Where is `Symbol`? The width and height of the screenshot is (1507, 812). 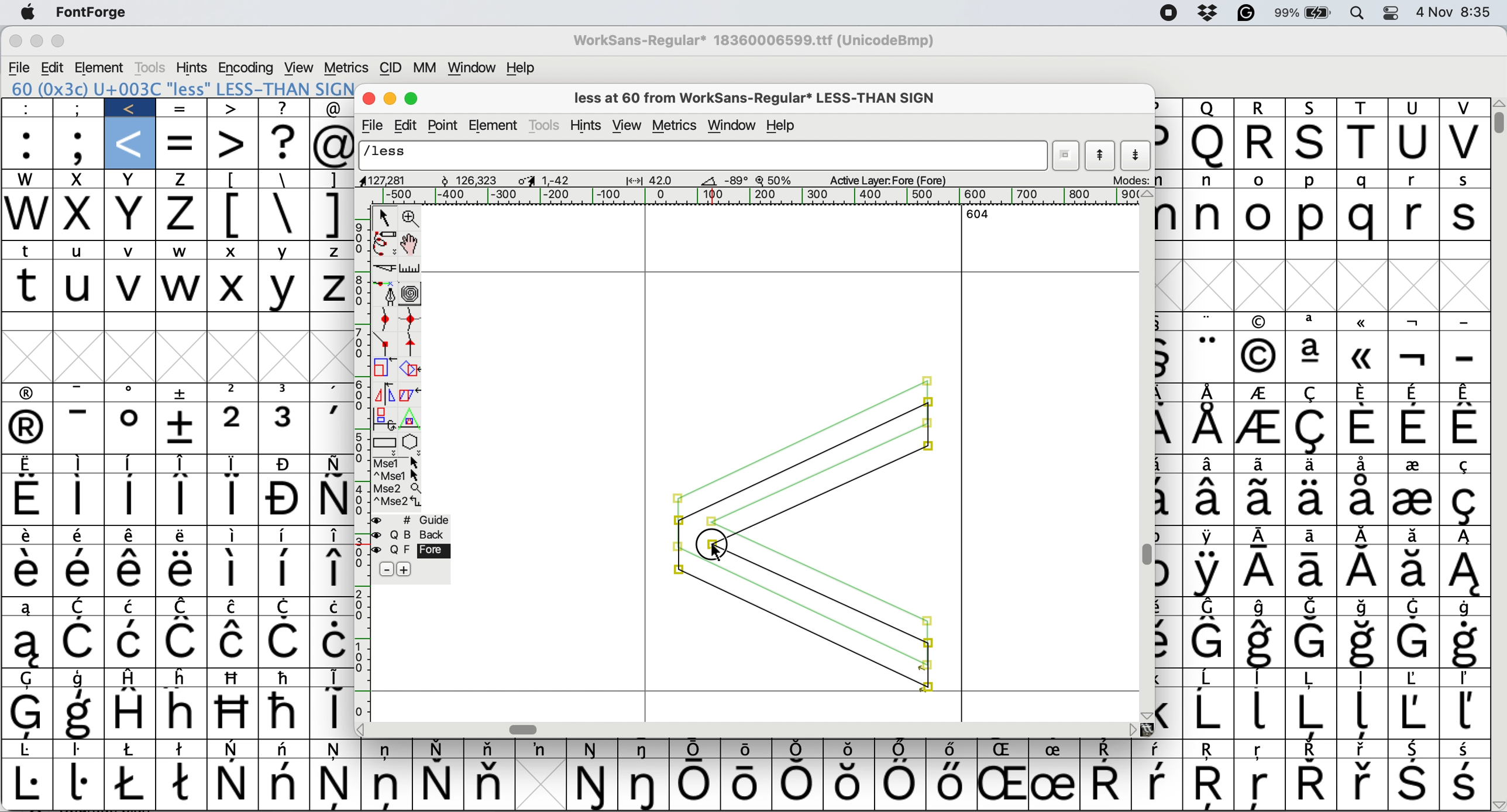
Symbol is located at coordinates (287, 749).